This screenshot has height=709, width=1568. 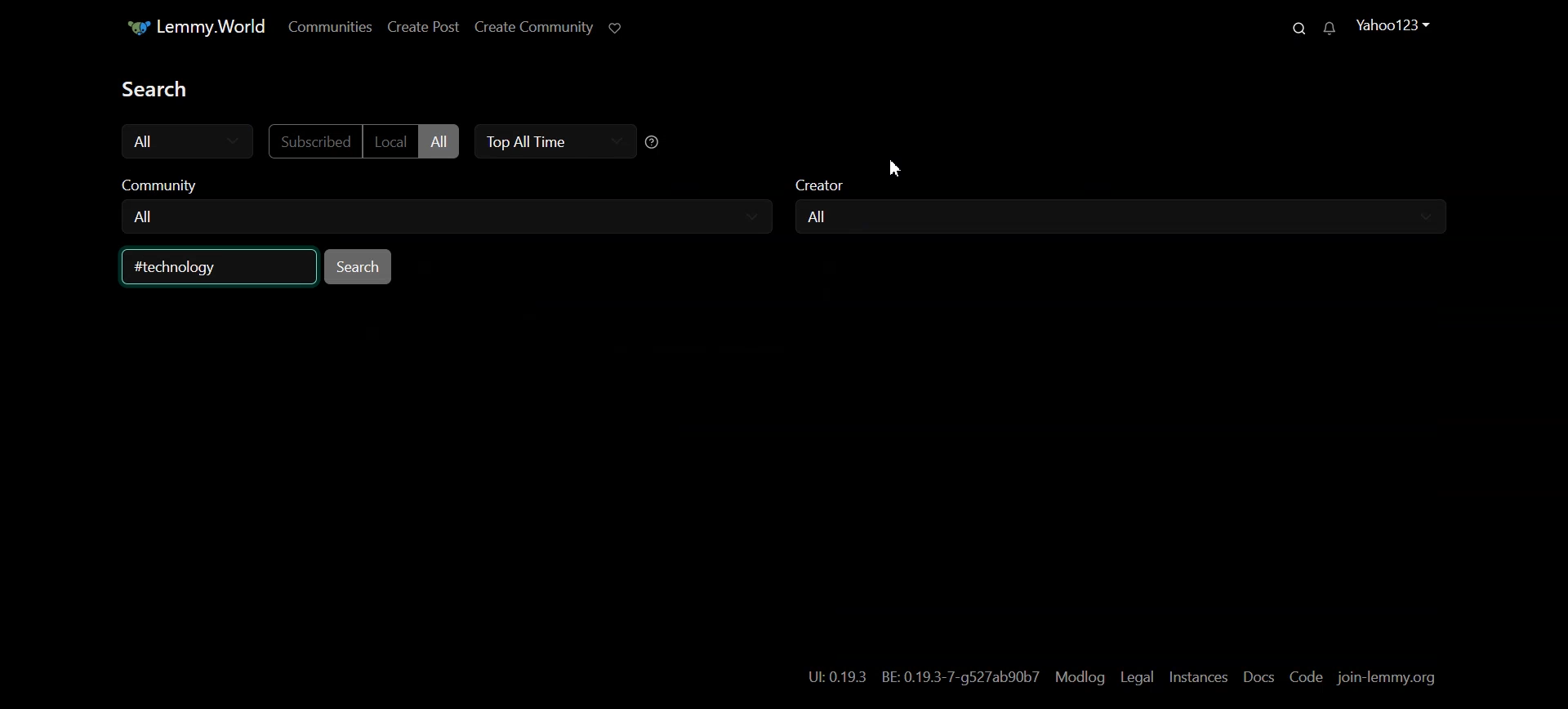 What do you see at coordinates (422, 28) in the screenshot?
I see `Create Post` at bounding box center [422, 28].